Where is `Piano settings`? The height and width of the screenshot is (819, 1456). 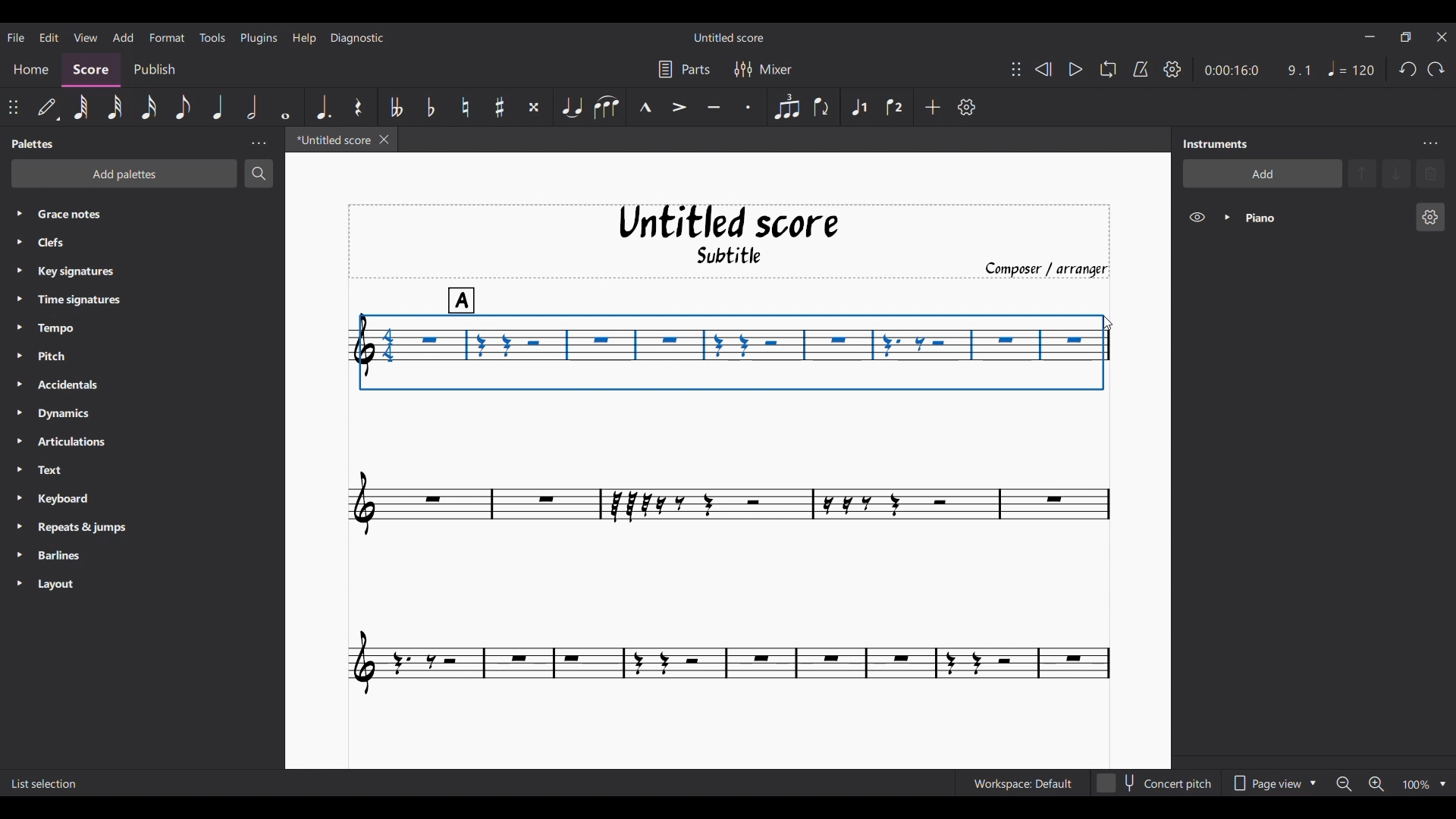 Piano settings is located at coordinates (1430, 217).